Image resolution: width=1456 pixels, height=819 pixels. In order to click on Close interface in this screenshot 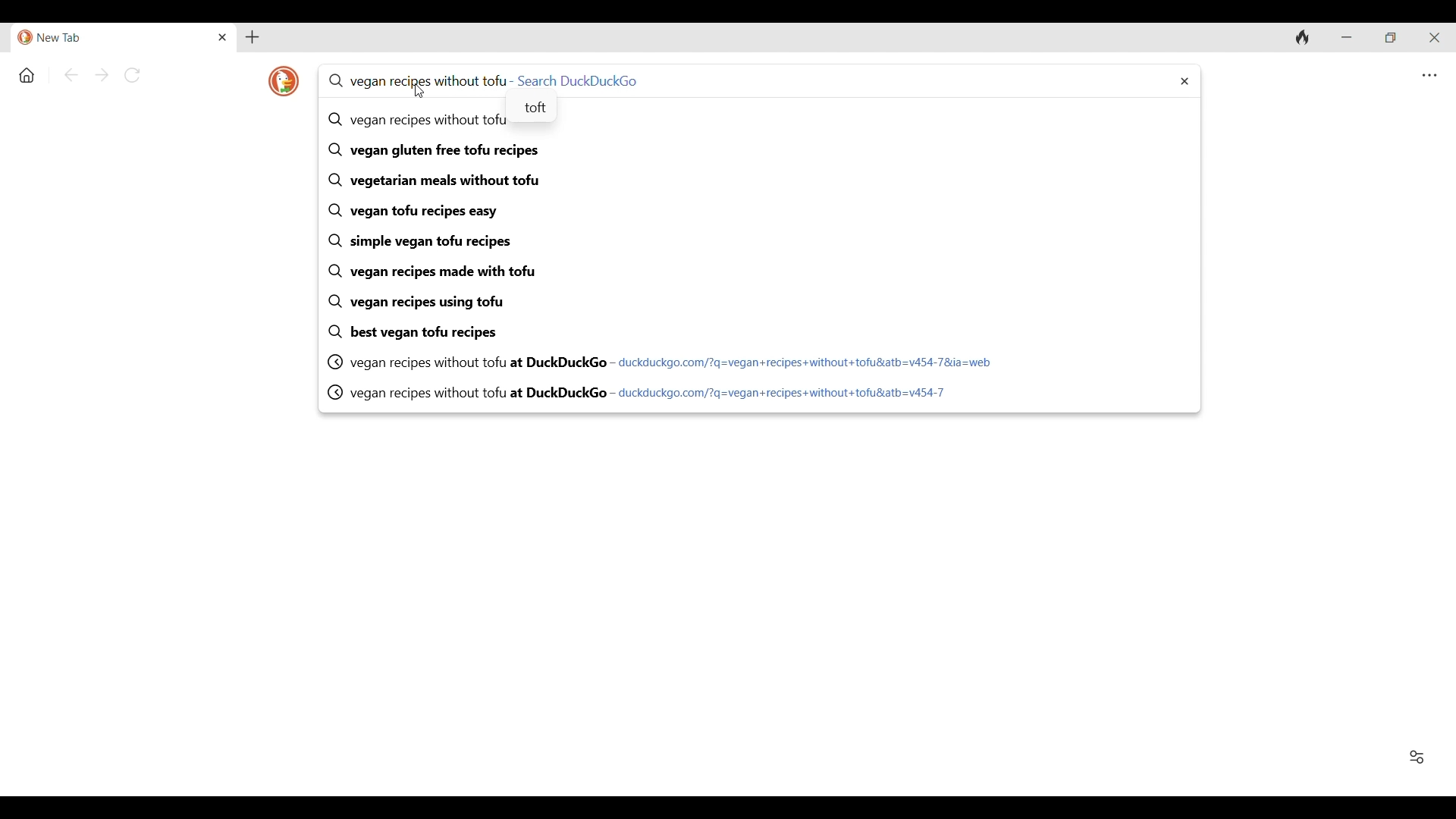, I will do `click(1434, 37)`.